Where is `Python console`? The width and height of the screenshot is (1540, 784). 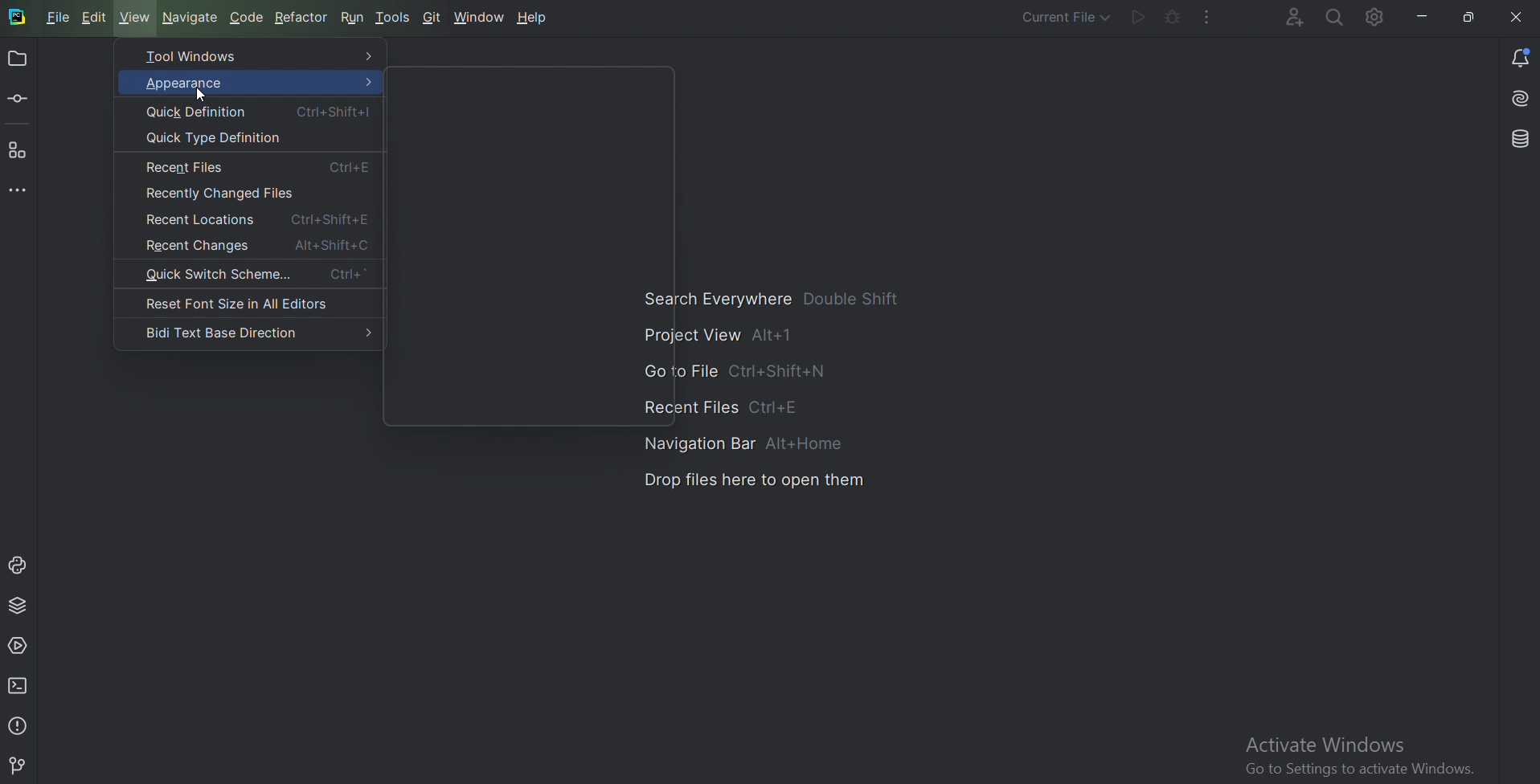
Python console is located at coordinates (18, 565).